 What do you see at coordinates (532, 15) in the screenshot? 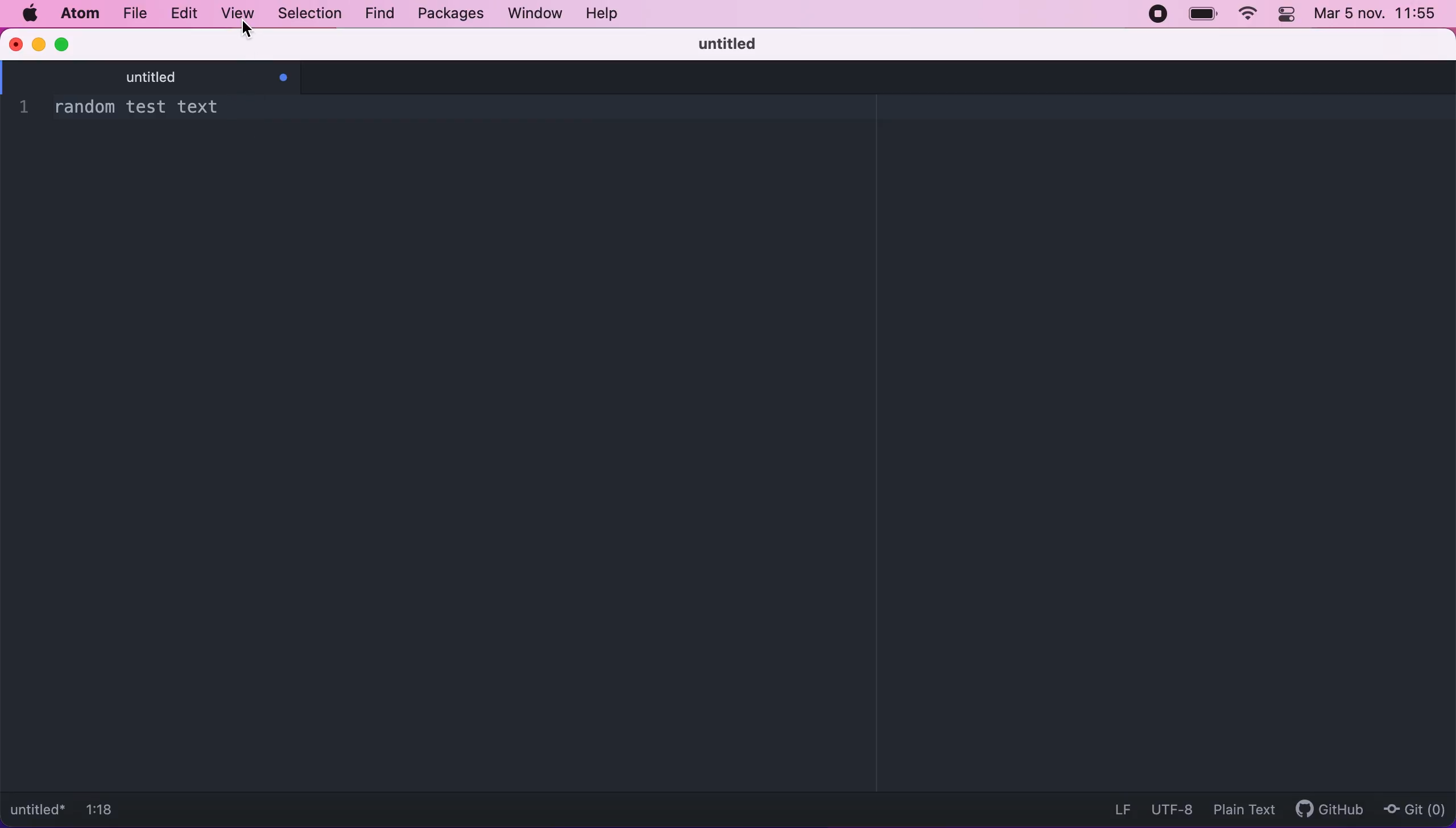
I see `window` at bounding box center [532, 15].